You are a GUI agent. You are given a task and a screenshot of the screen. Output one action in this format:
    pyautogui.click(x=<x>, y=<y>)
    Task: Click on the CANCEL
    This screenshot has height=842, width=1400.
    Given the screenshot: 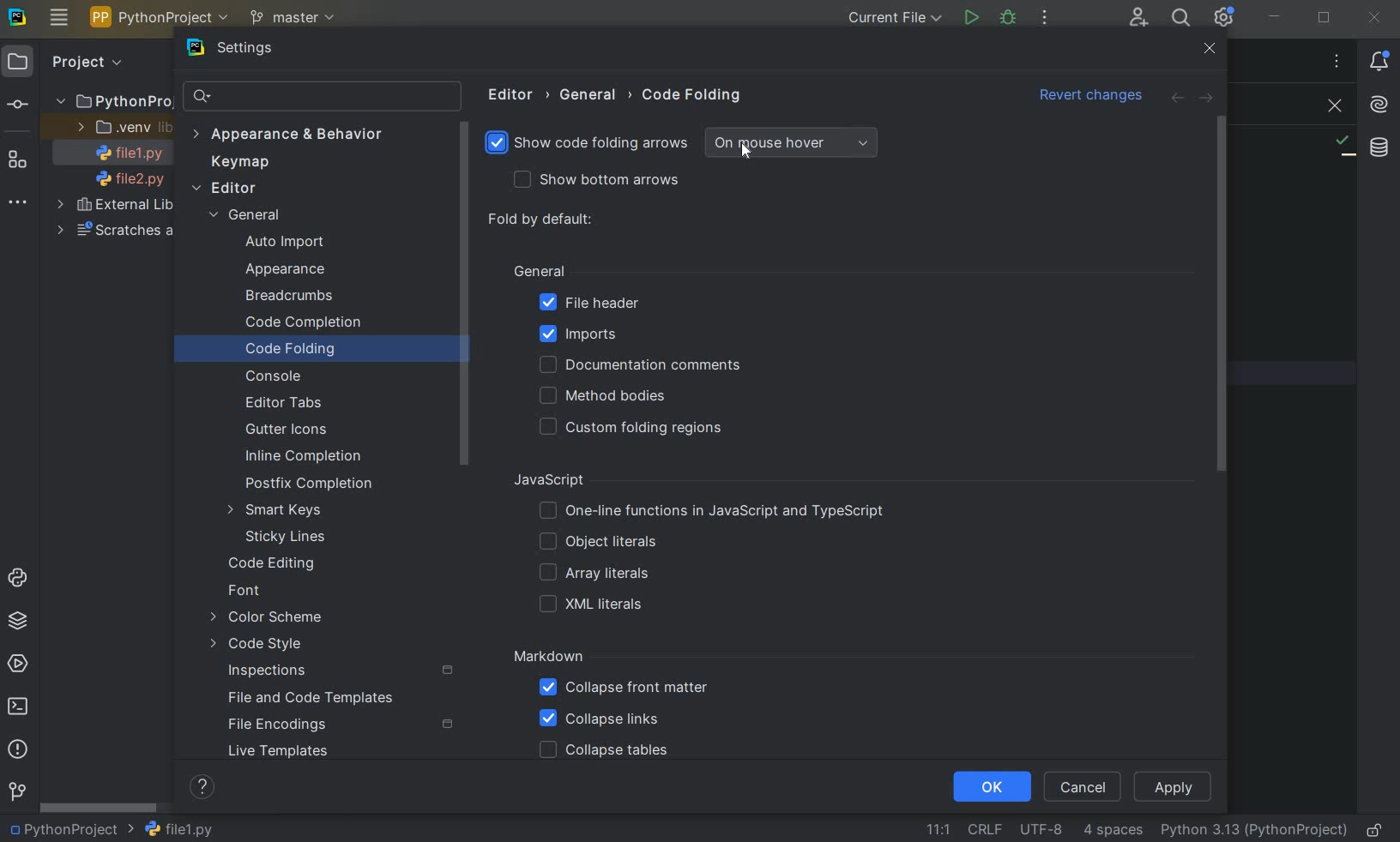 What is the action you would take?
    pyautogui.click(x=1085, y=785)
    